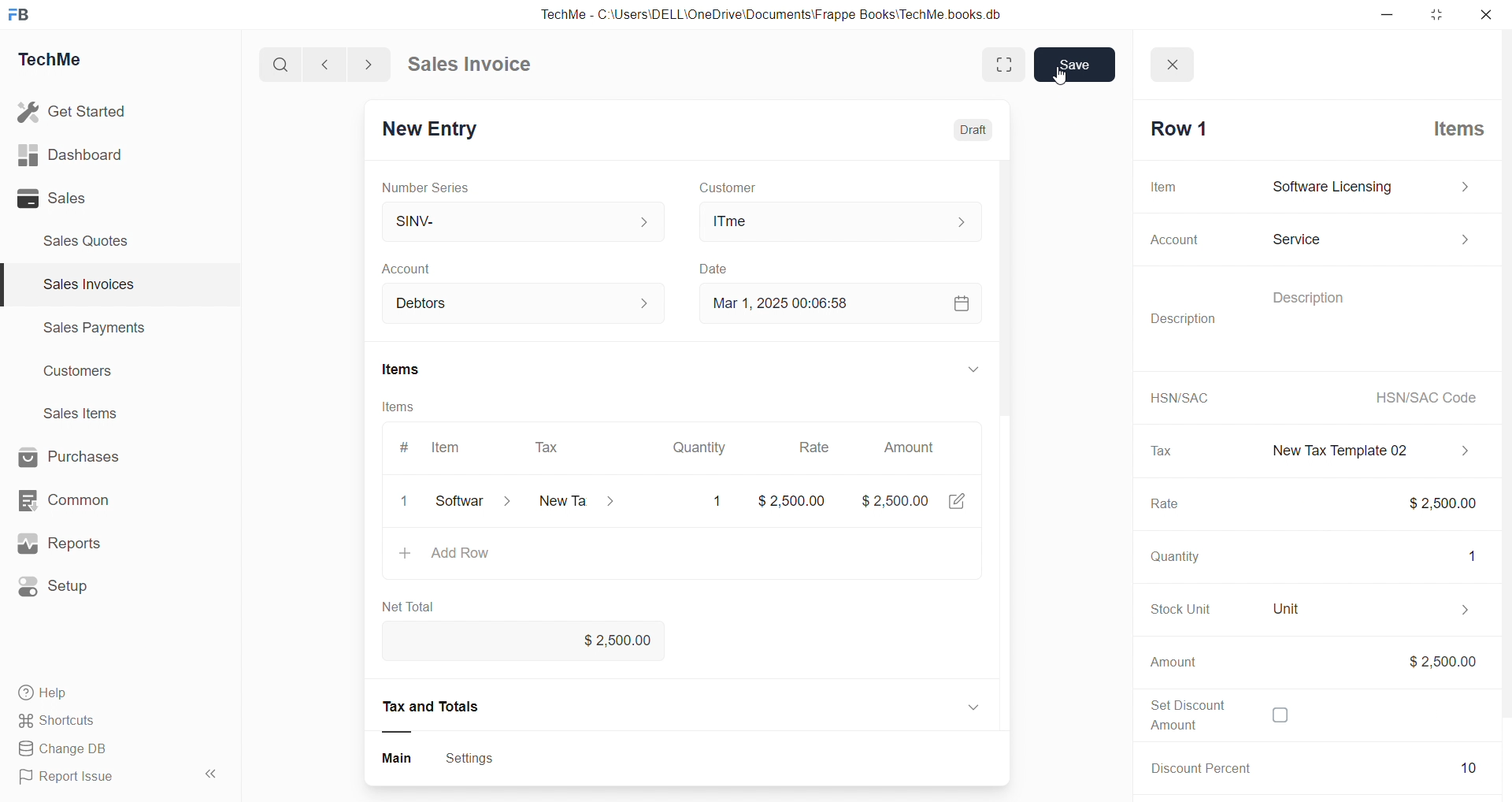 The height and width of the screenshot is (802, 1512). Describe the element at coordinates (575, 503) in the screenshot. I see `NewTa >` at that location.